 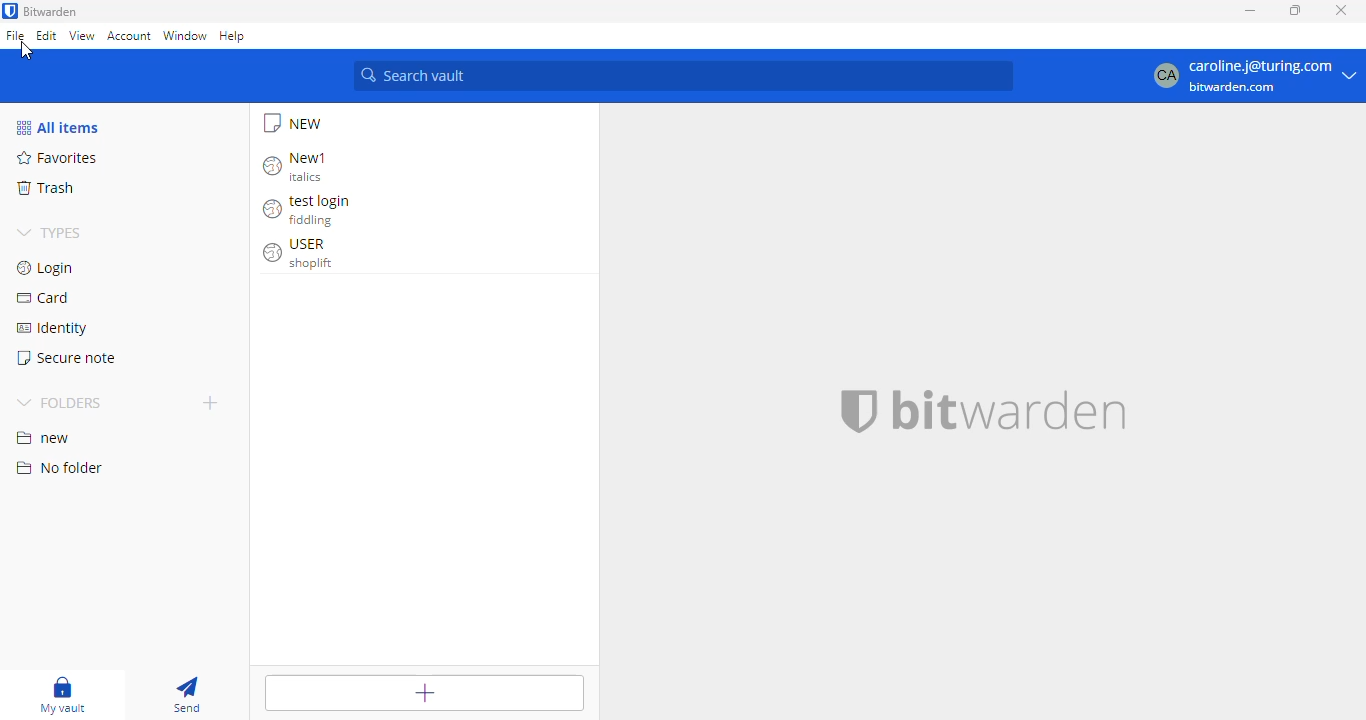 What do you see at coordinates (57, 467) in the screenshot?
I see `no folder` at bounding box center [57, 467].